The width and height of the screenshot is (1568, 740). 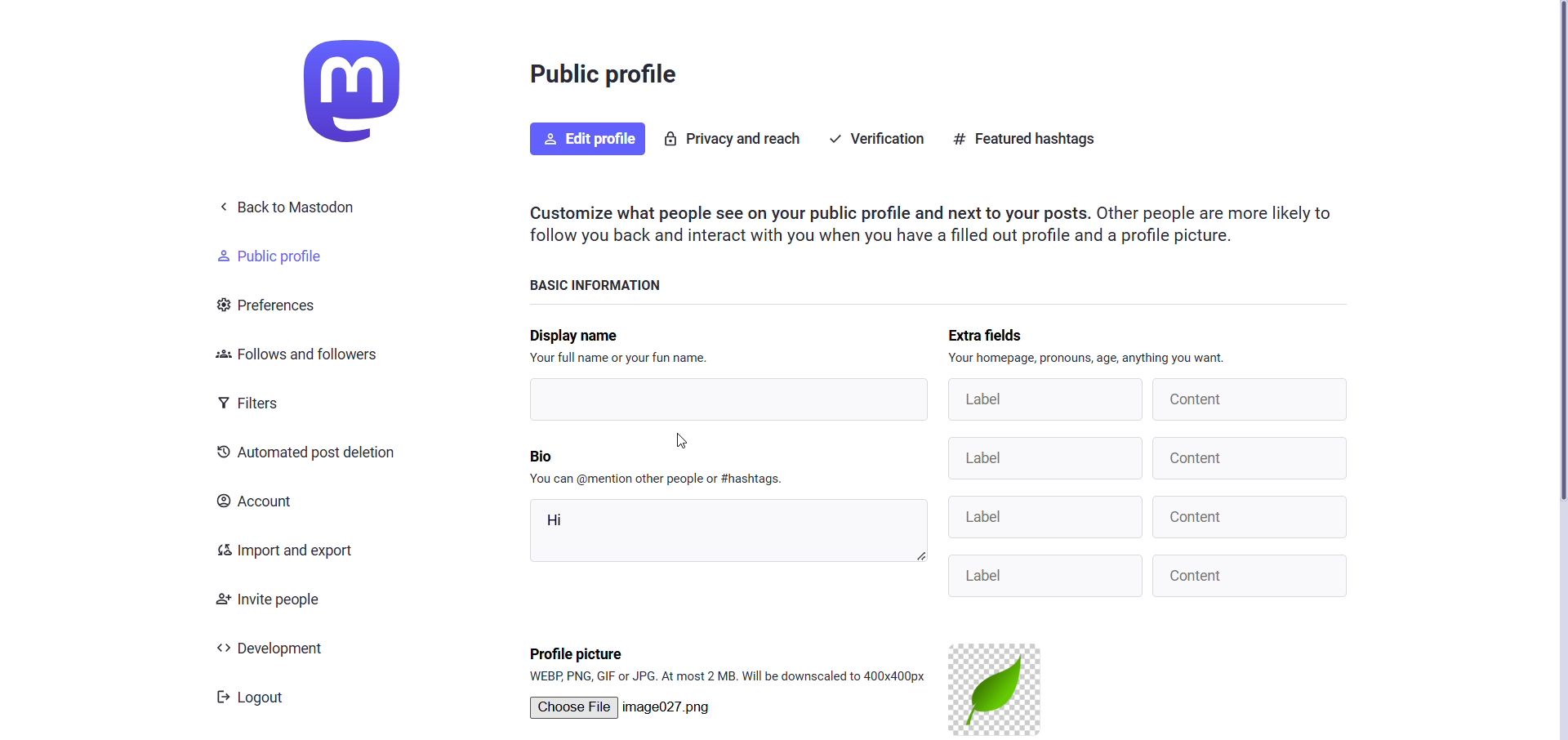 I want to click on text, so click(x=621, y=359).